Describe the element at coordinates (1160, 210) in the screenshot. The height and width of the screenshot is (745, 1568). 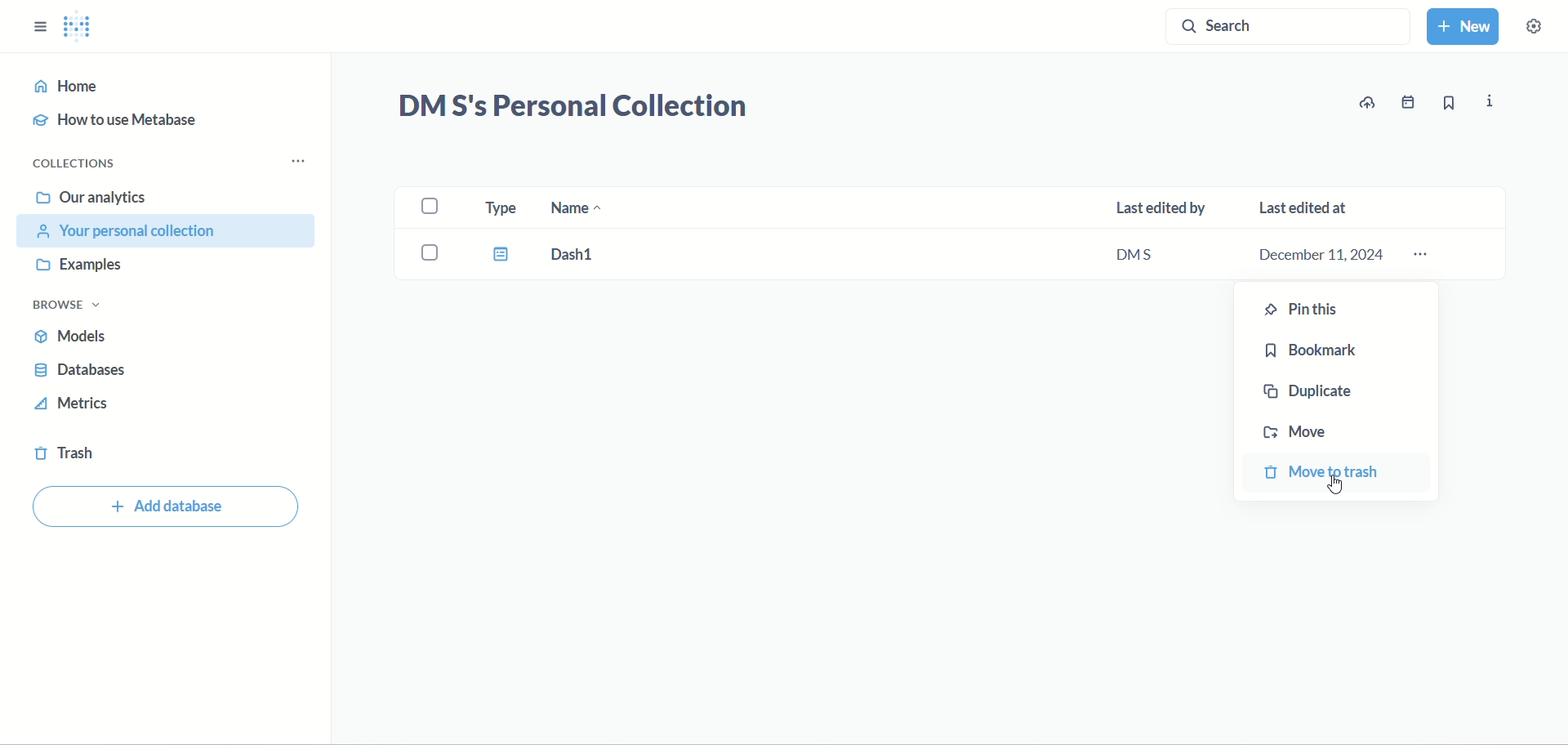
I see `last edited by` at that location.